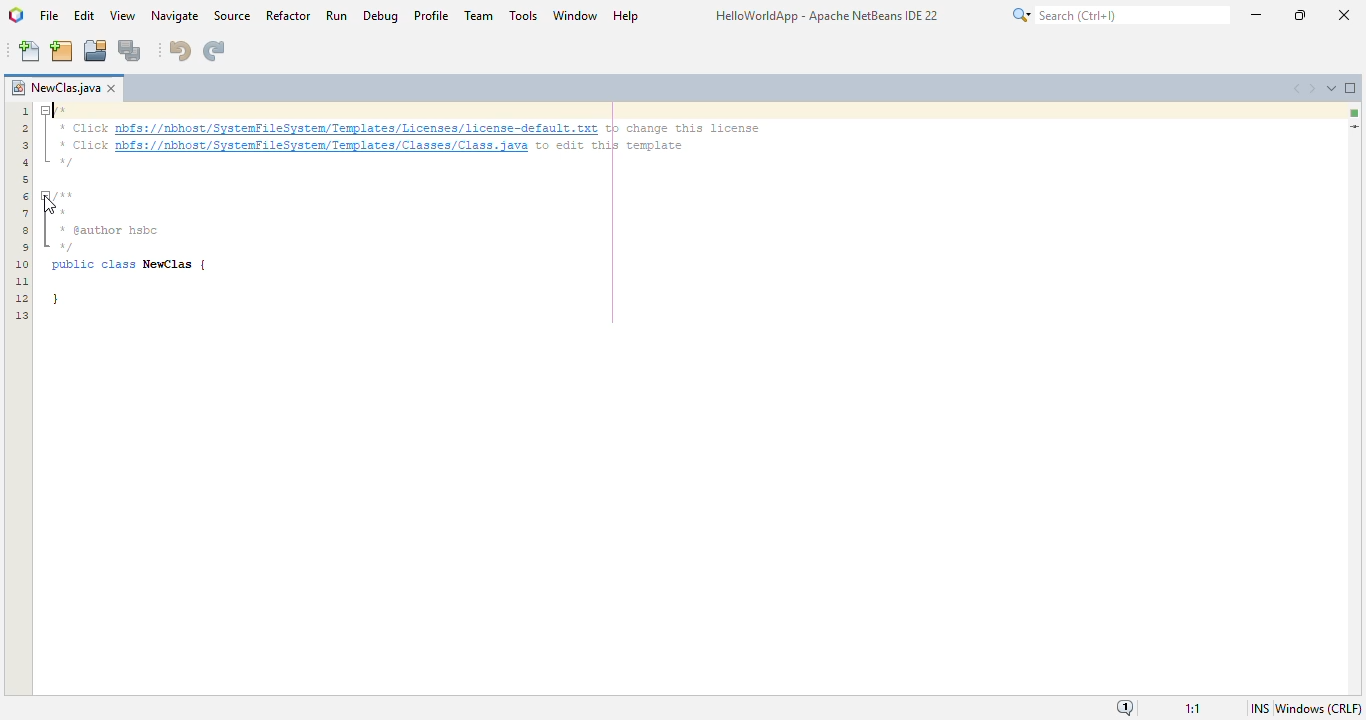 The width and height of the screenshot is (1366, 720). I want to click on undo, so click(180, 51).